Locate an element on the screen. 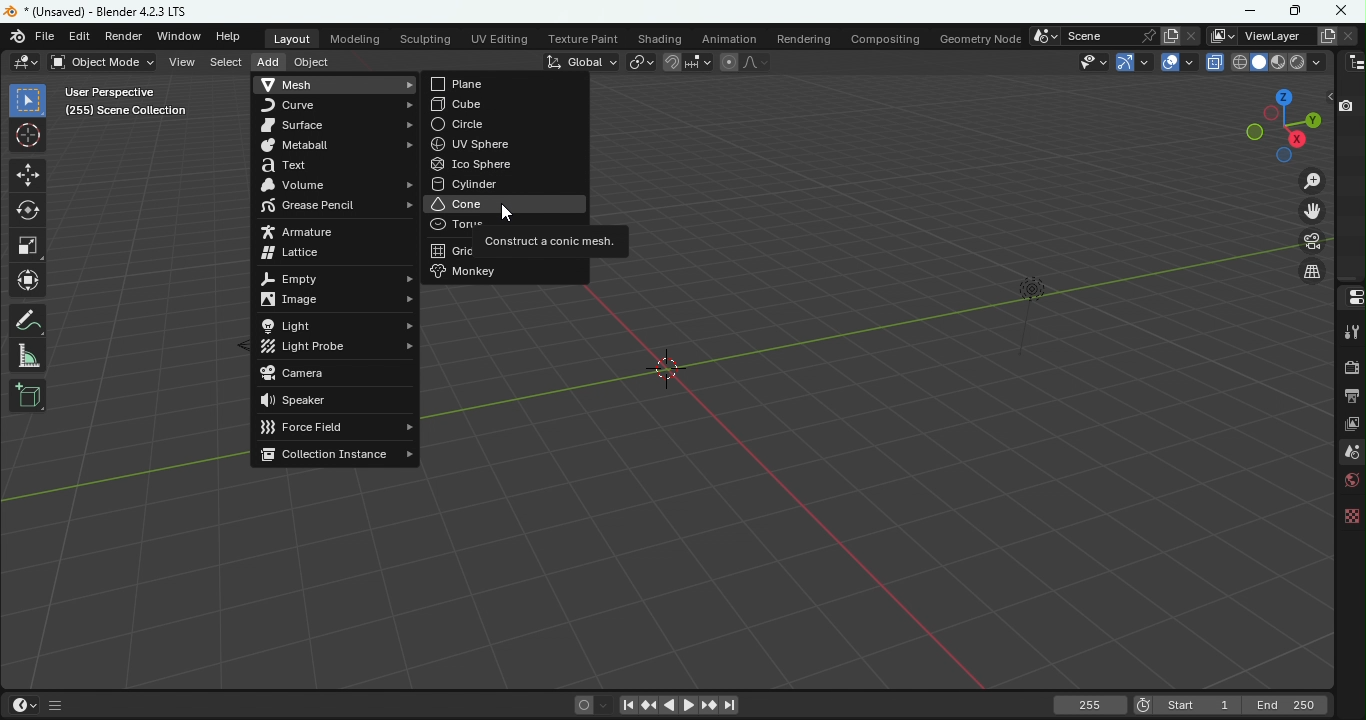  Edit is located at coordinates (82, 36).